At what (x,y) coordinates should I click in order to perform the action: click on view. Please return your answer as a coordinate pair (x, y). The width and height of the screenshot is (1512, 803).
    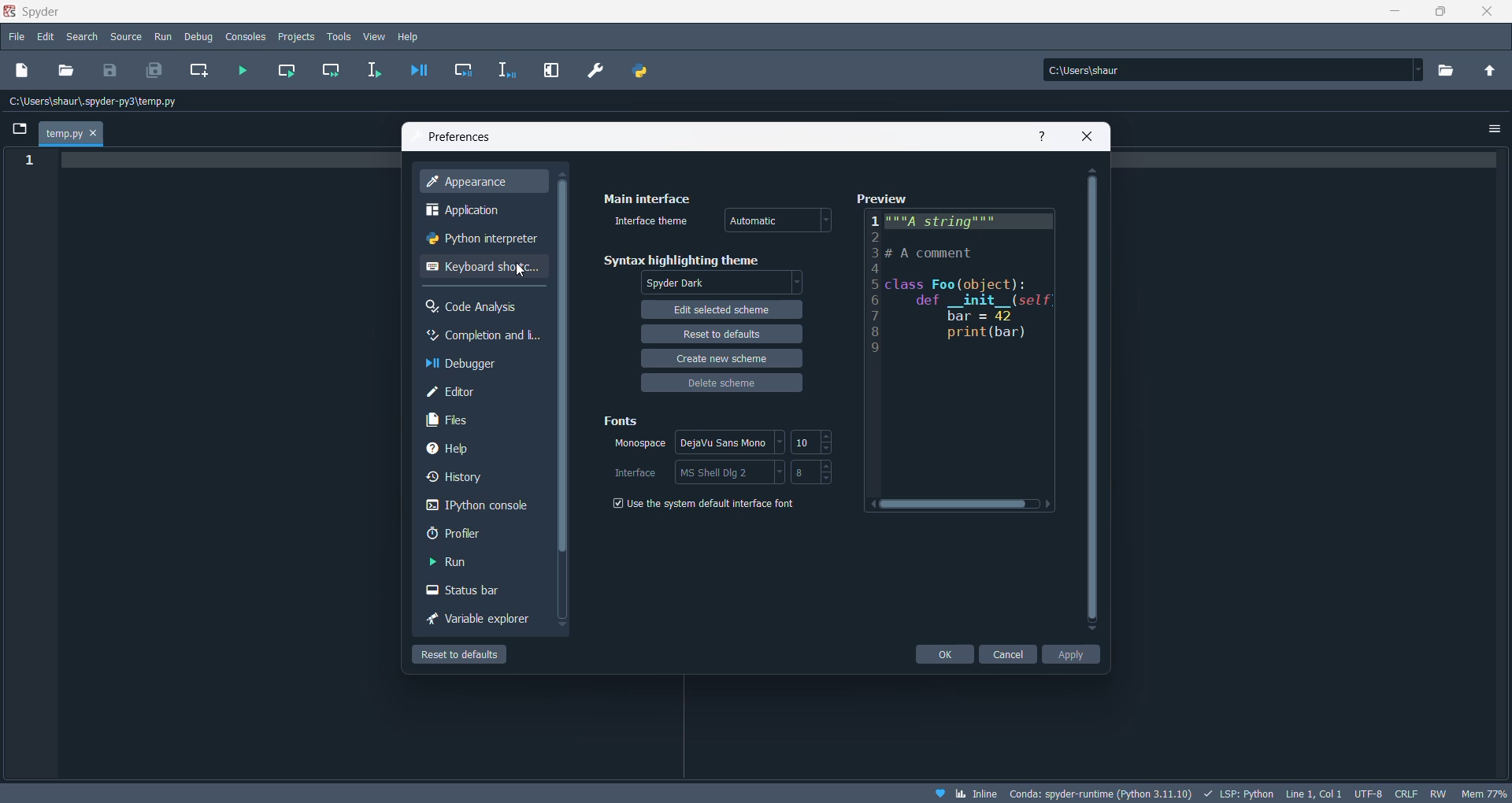
    Looking at the image, I should click on (376, 38).